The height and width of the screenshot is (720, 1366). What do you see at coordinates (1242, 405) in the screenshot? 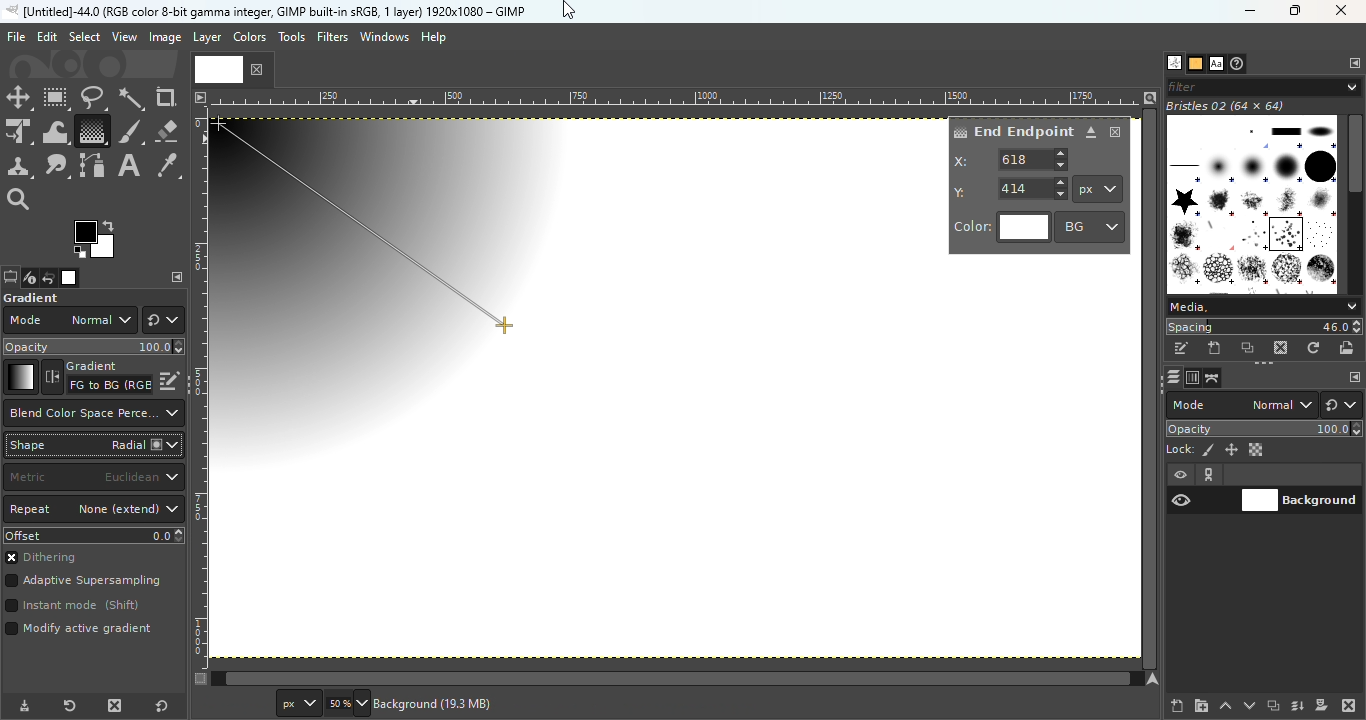
I see `Mode` at bounding box center [1242, 405].